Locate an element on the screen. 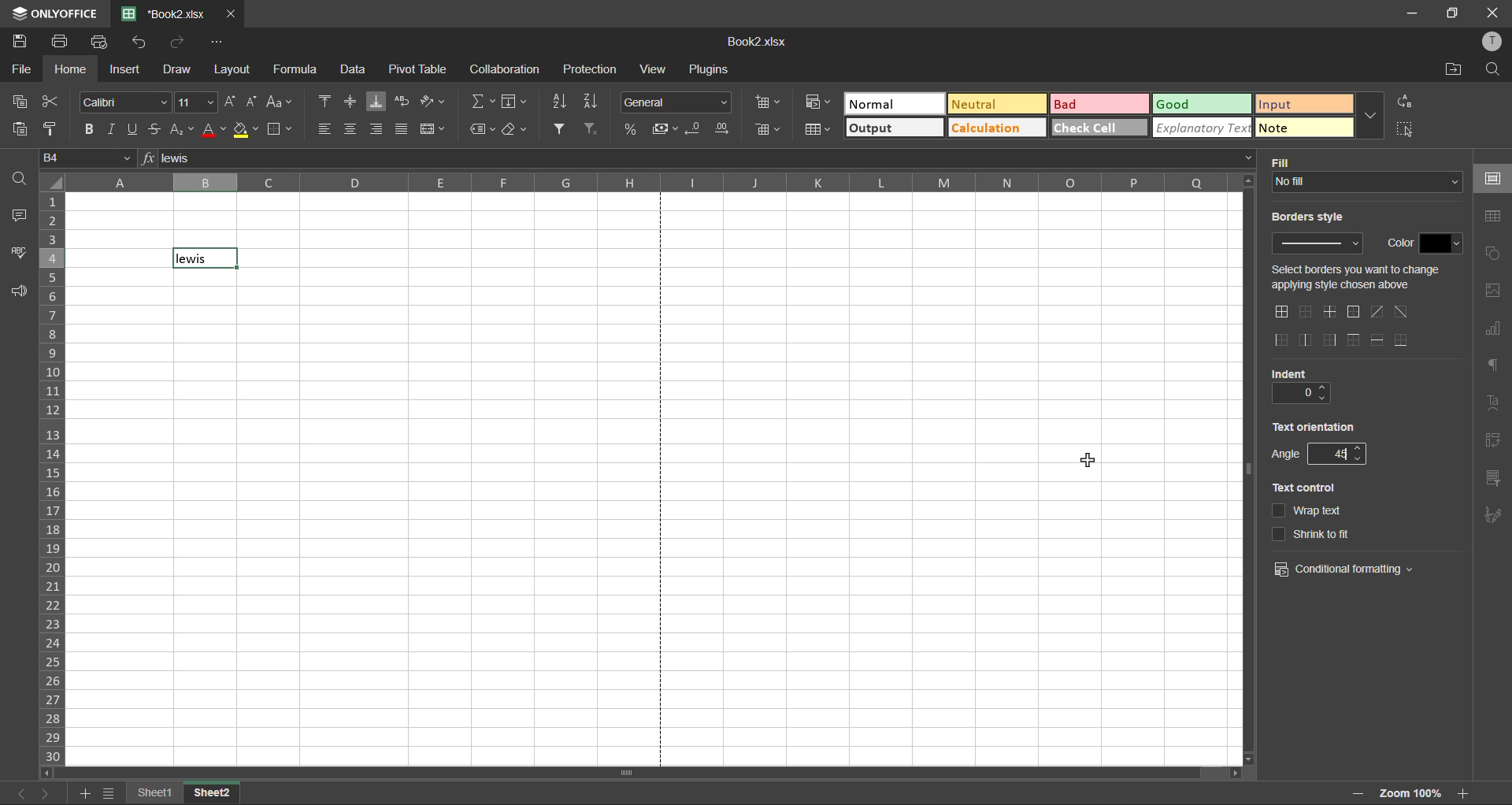 This screenshot has height=805, width=1512. horizontal scrollbar is located at coordinates (625, 772).